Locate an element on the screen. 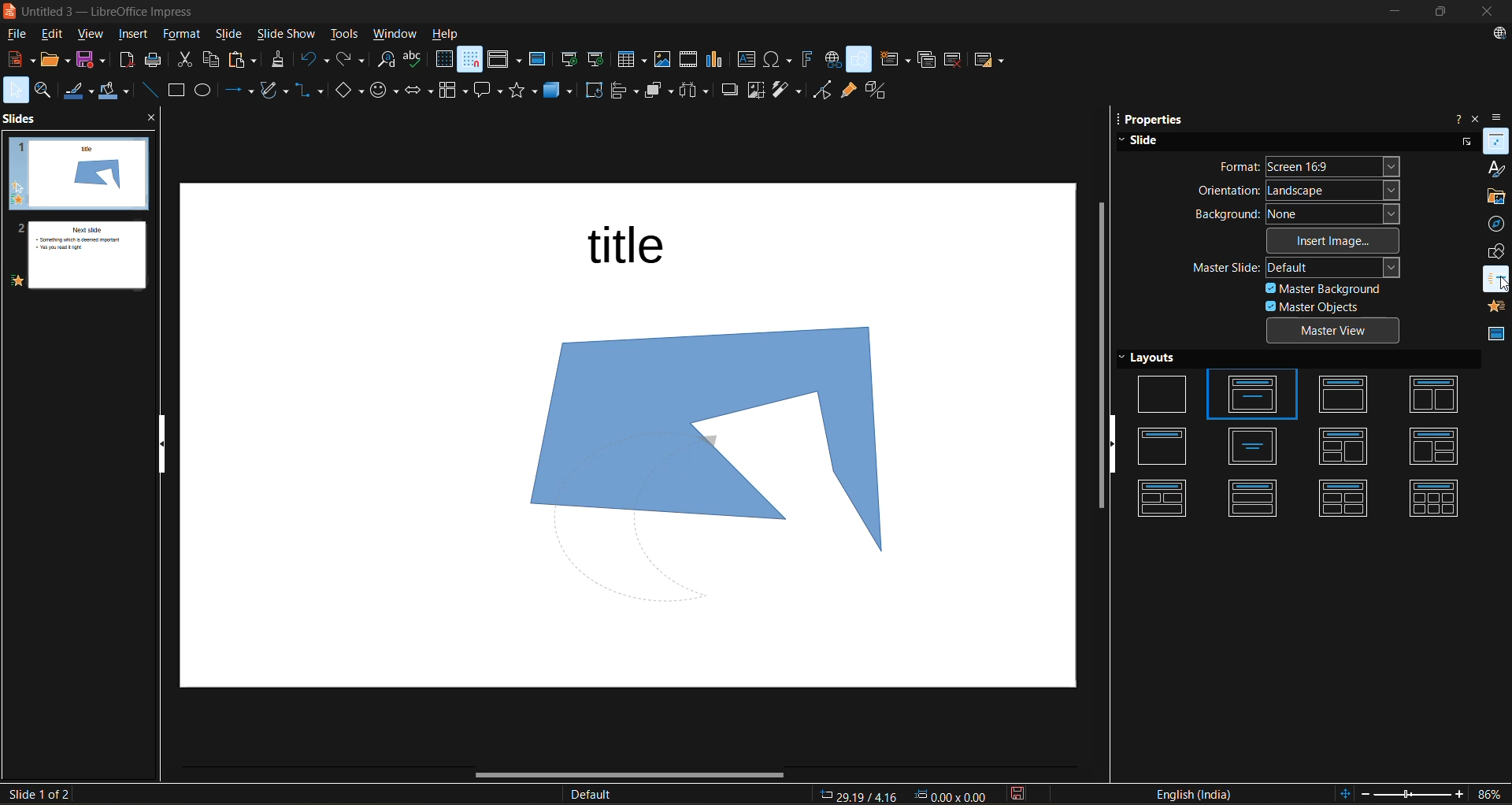 This screenshot has height=805, width=1512. image is located at coordinates (691, 440).